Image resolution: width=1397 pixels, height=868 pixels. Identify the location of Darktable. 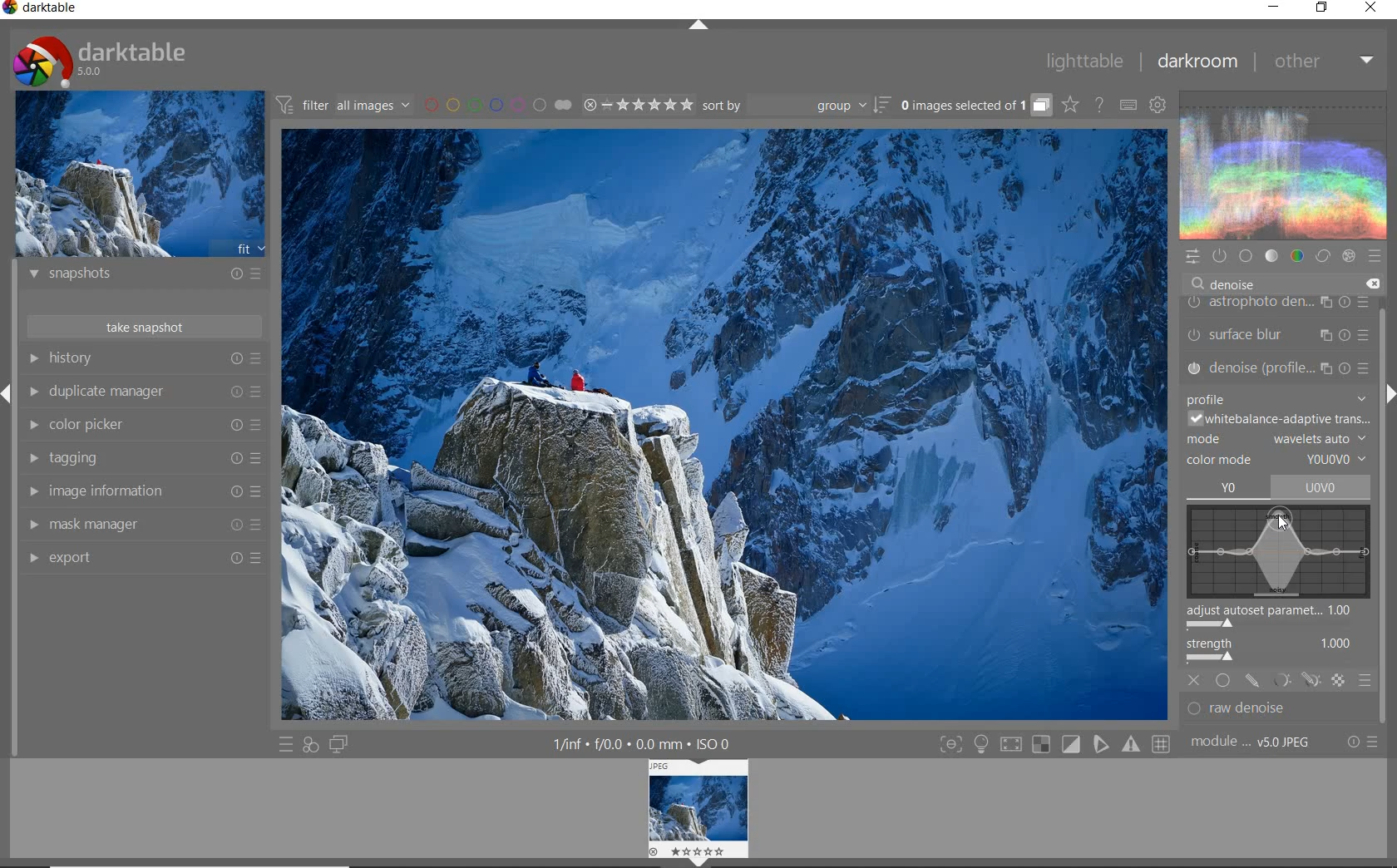
(42, 11).